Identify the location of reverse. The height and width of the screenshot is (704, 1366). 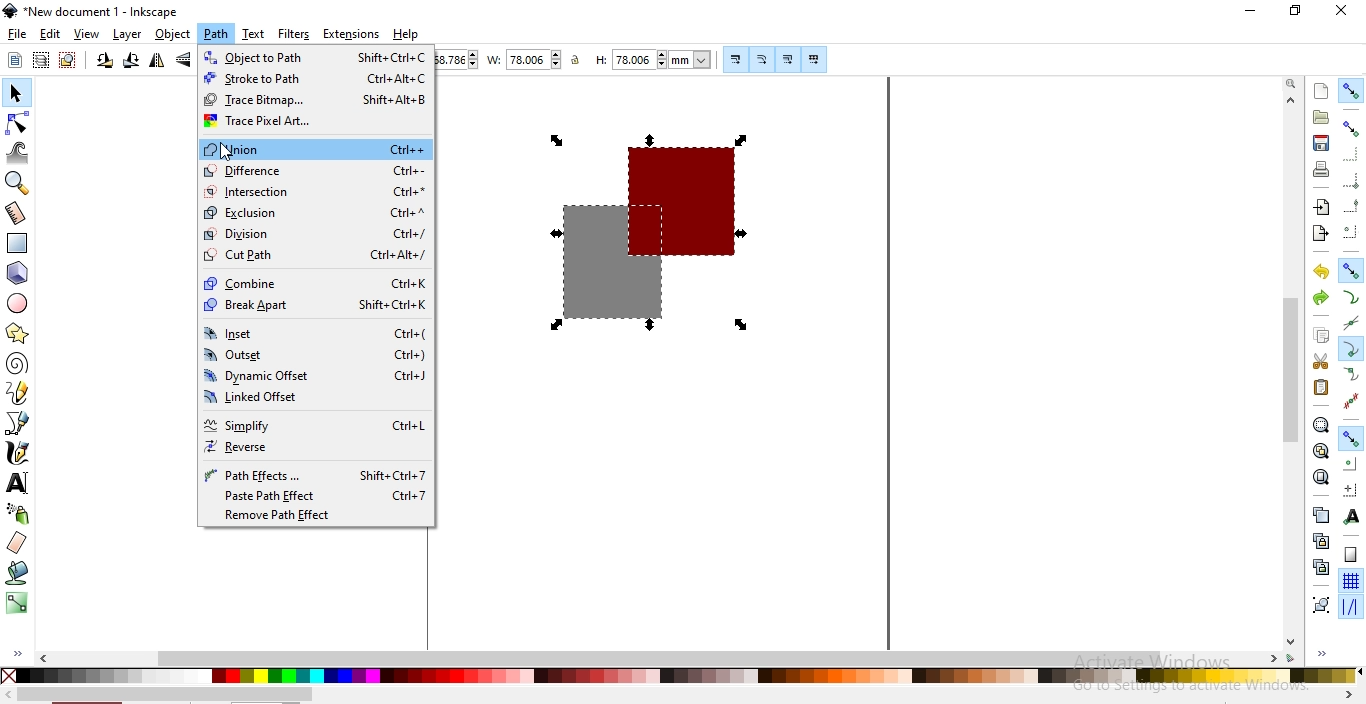
(316, 448).